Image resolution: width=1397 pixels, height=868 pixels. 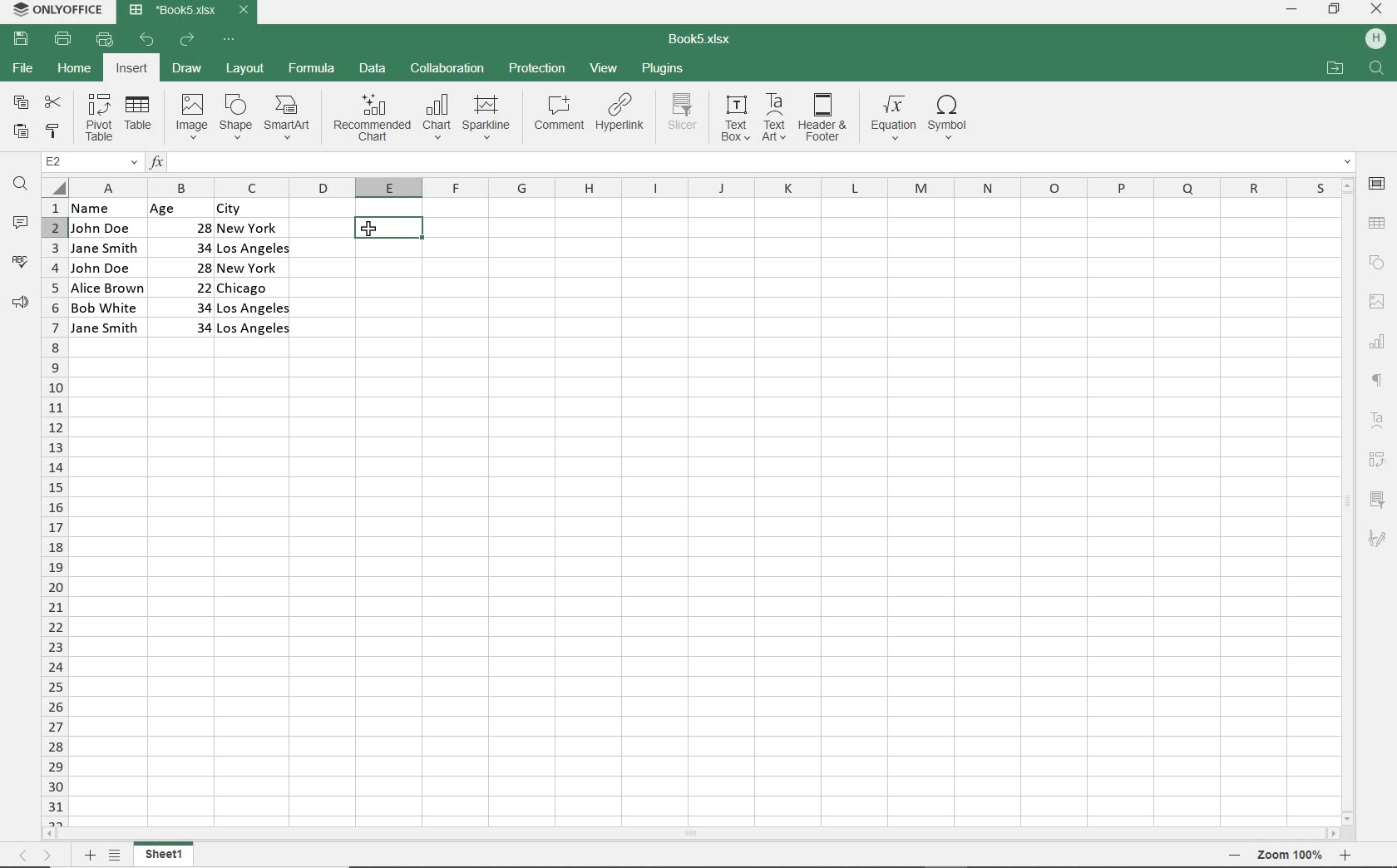 I want to click on 22, so click(x=190, y=286).